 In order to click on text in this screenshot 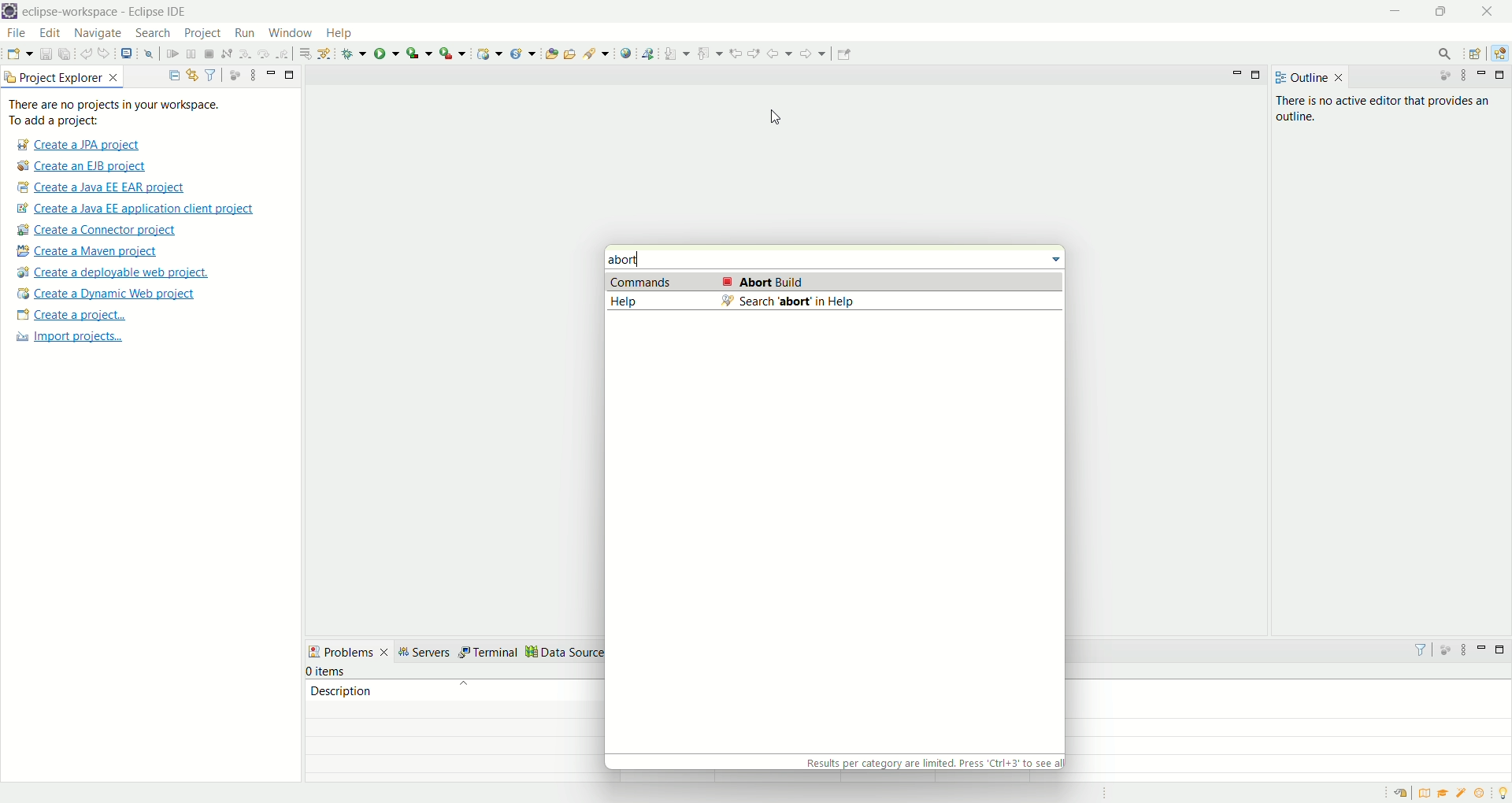, I will do `click(1384, 108)`.